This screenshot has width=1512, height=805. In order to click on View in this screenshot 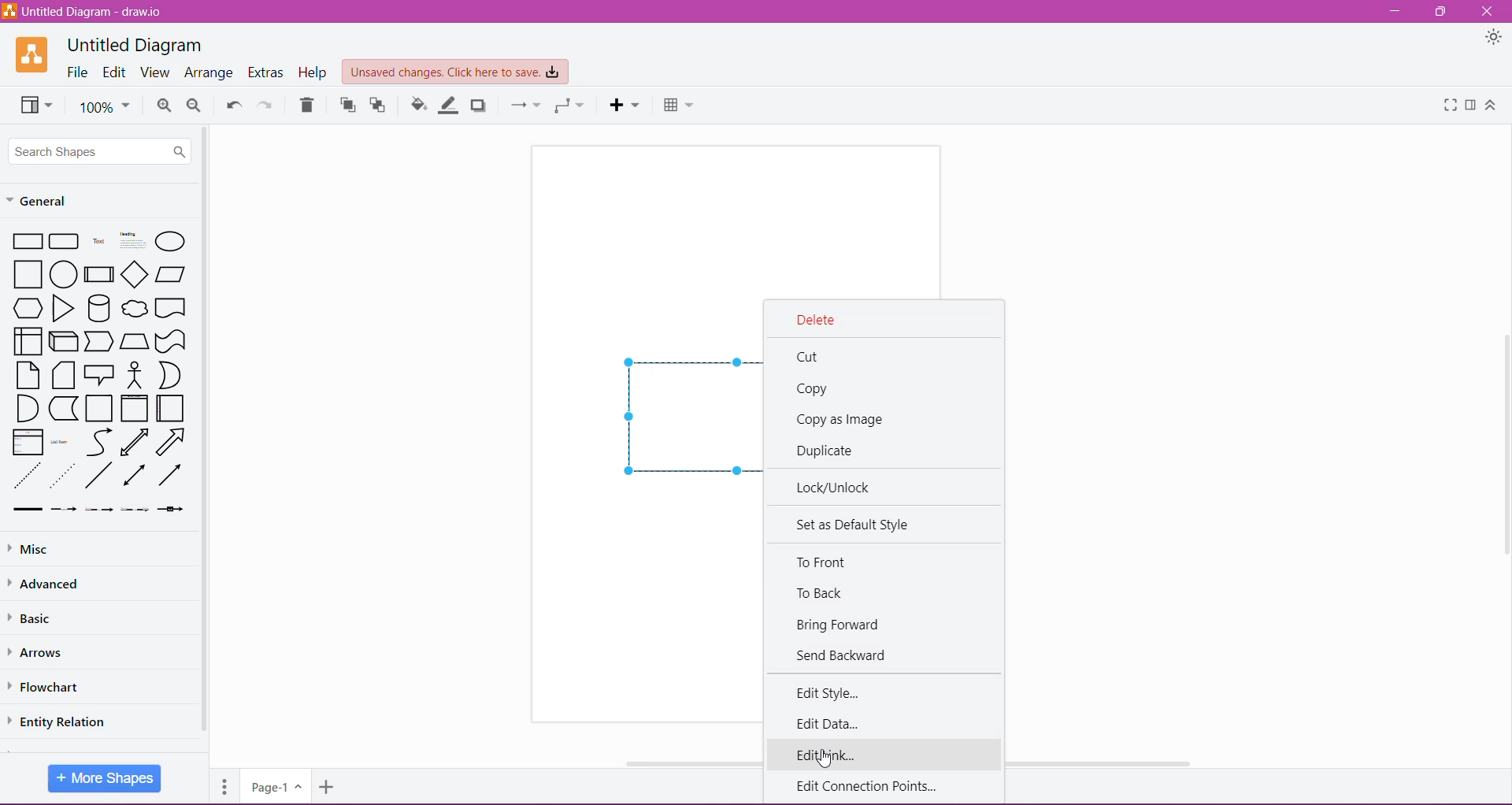, I will do `click(154, 72)`.